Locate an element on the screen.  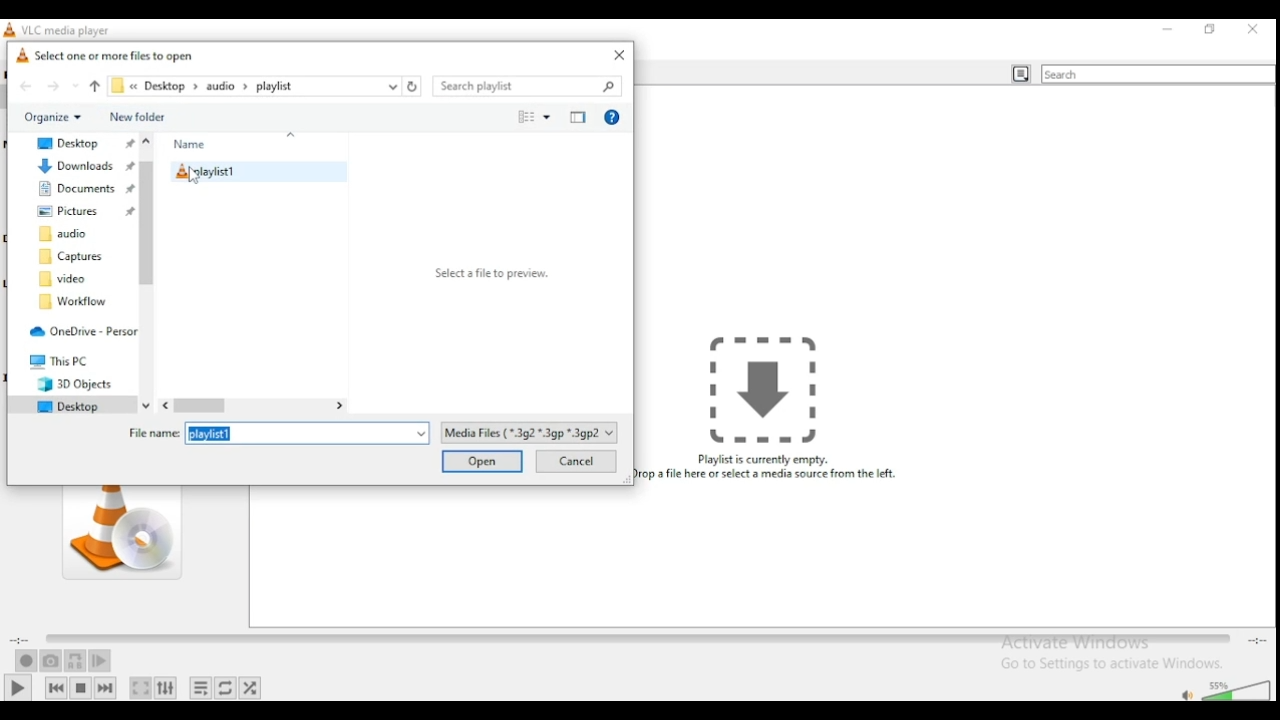
desktop is located at coordinates (74, 405).